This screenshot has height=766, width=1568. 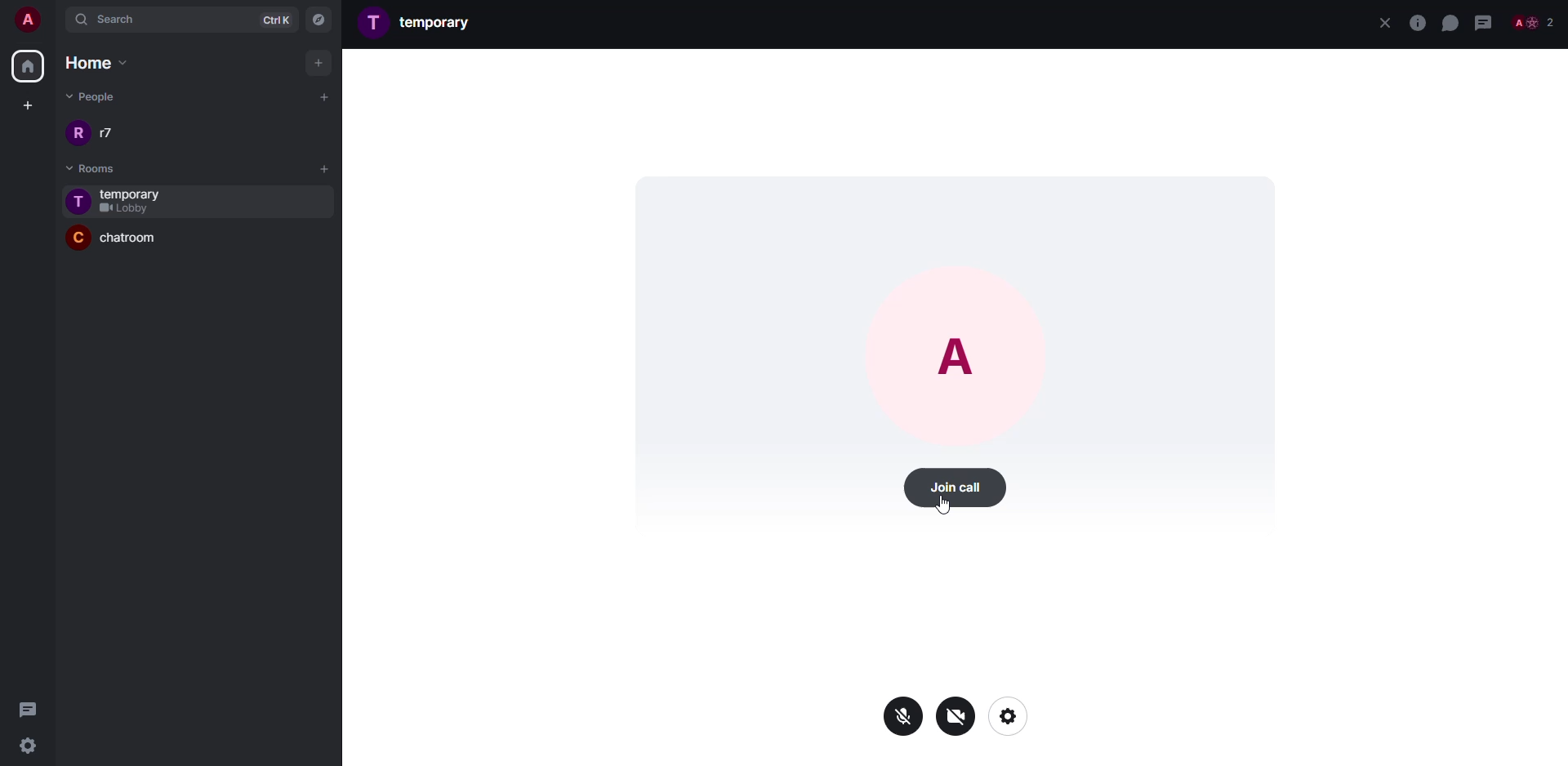 What do you see at coordinates (1384, 22) in the screenshot?
I see `close` at bounding box center [1384, 22].